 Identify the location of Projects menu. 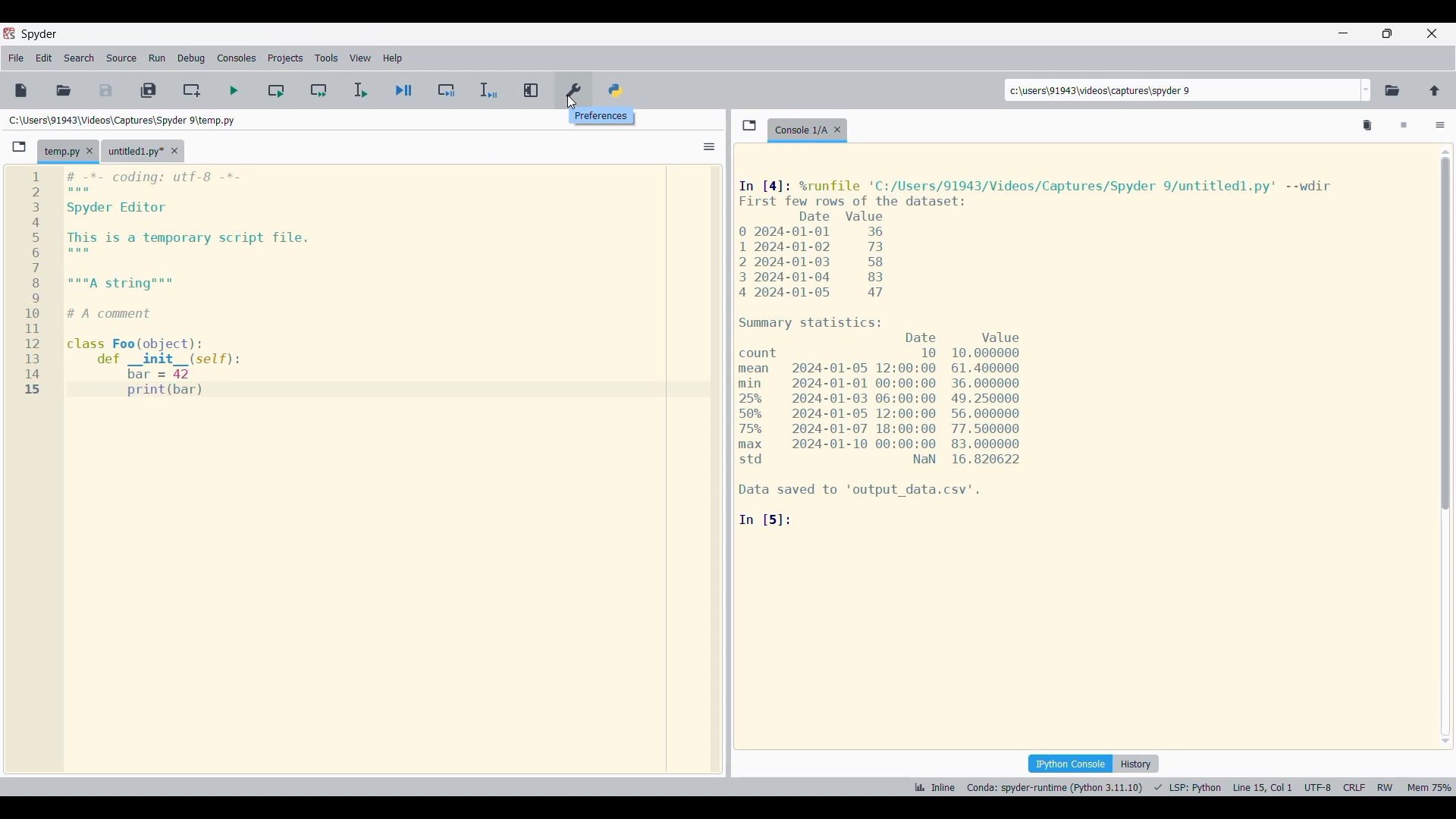
(285, 58).